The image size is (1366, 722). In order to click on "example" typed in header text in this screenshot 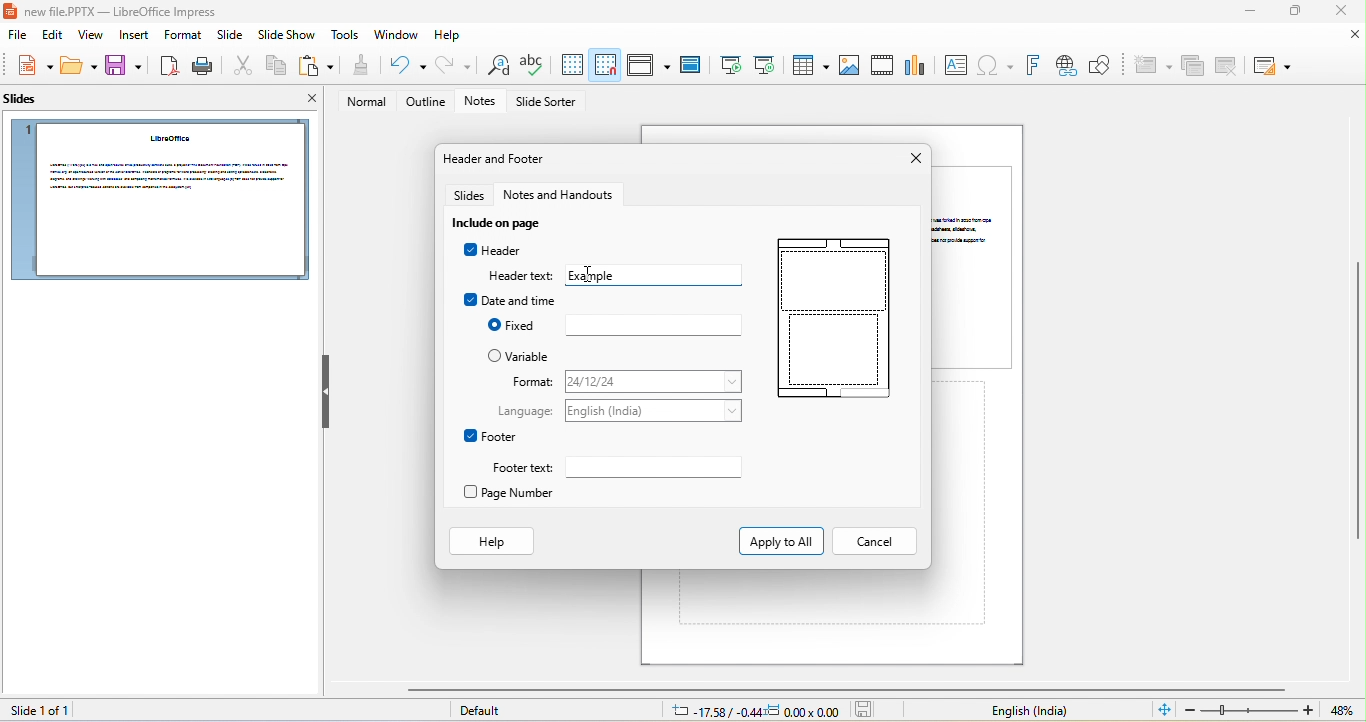, I will do `click(660, 275)`.